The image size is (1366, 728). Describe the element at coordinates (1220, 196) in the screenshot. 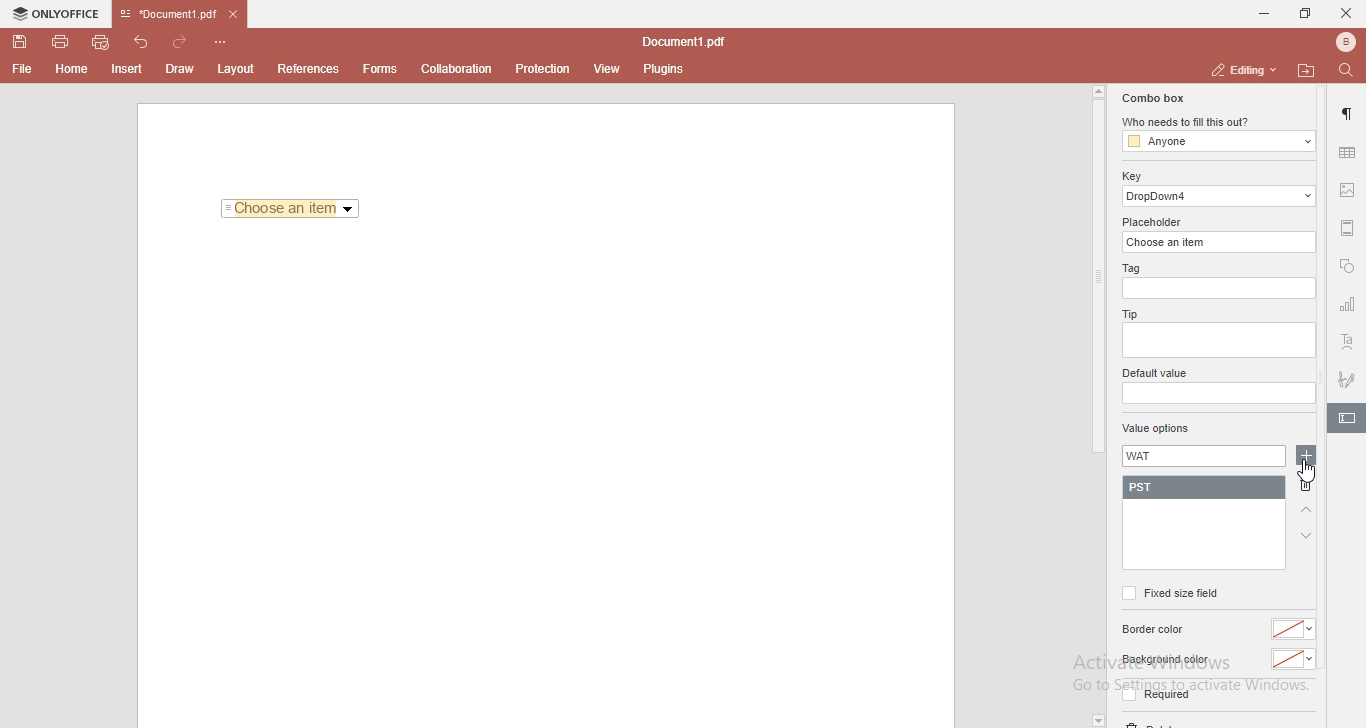

I see `dropdown 4` at that location.